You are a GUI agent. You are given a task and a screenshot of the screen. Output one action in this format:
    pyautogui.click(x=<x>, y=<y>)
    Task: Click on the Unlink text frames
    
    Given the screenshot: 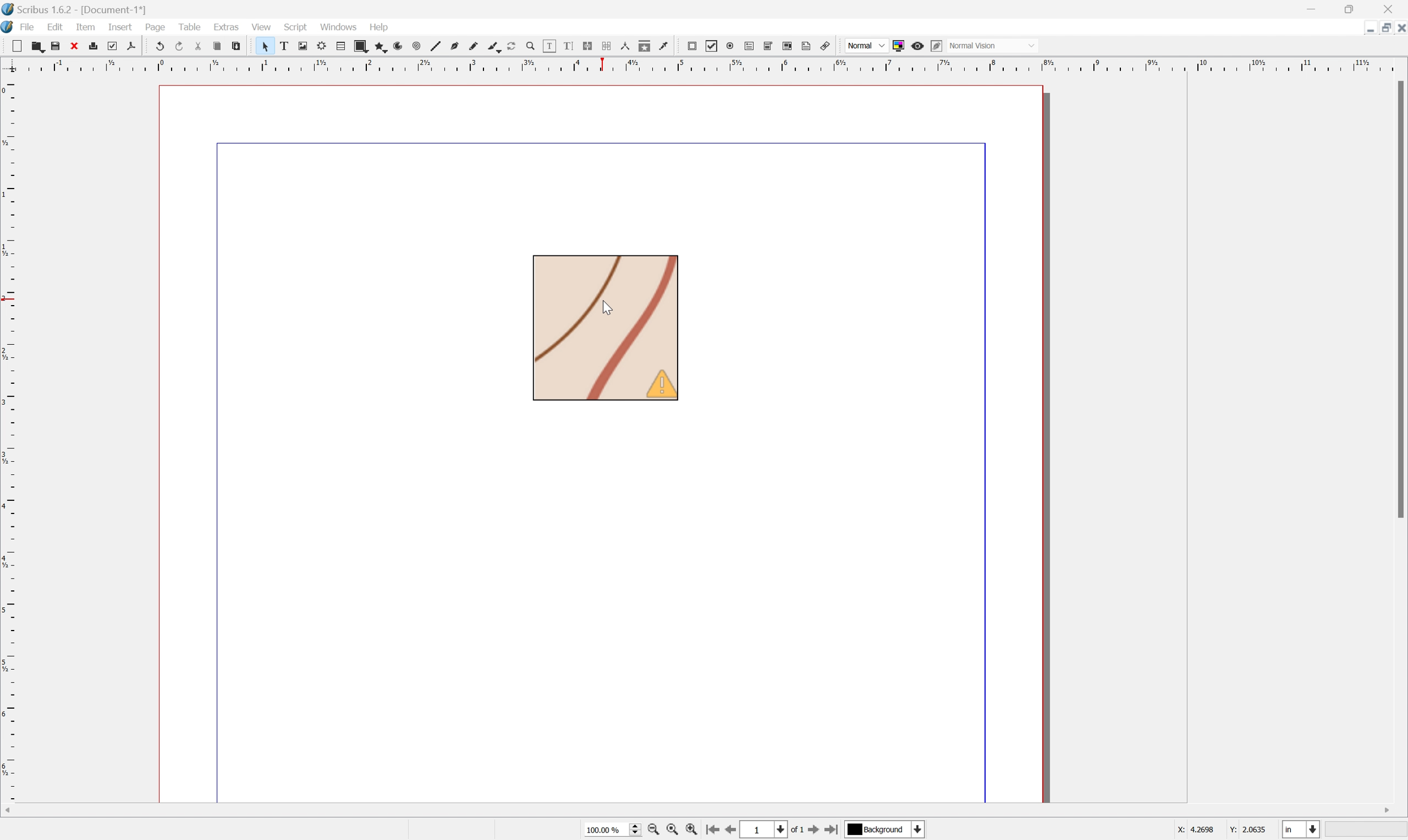 What is the action you would take?
    pyautogui.click(x=610, y=46)
    